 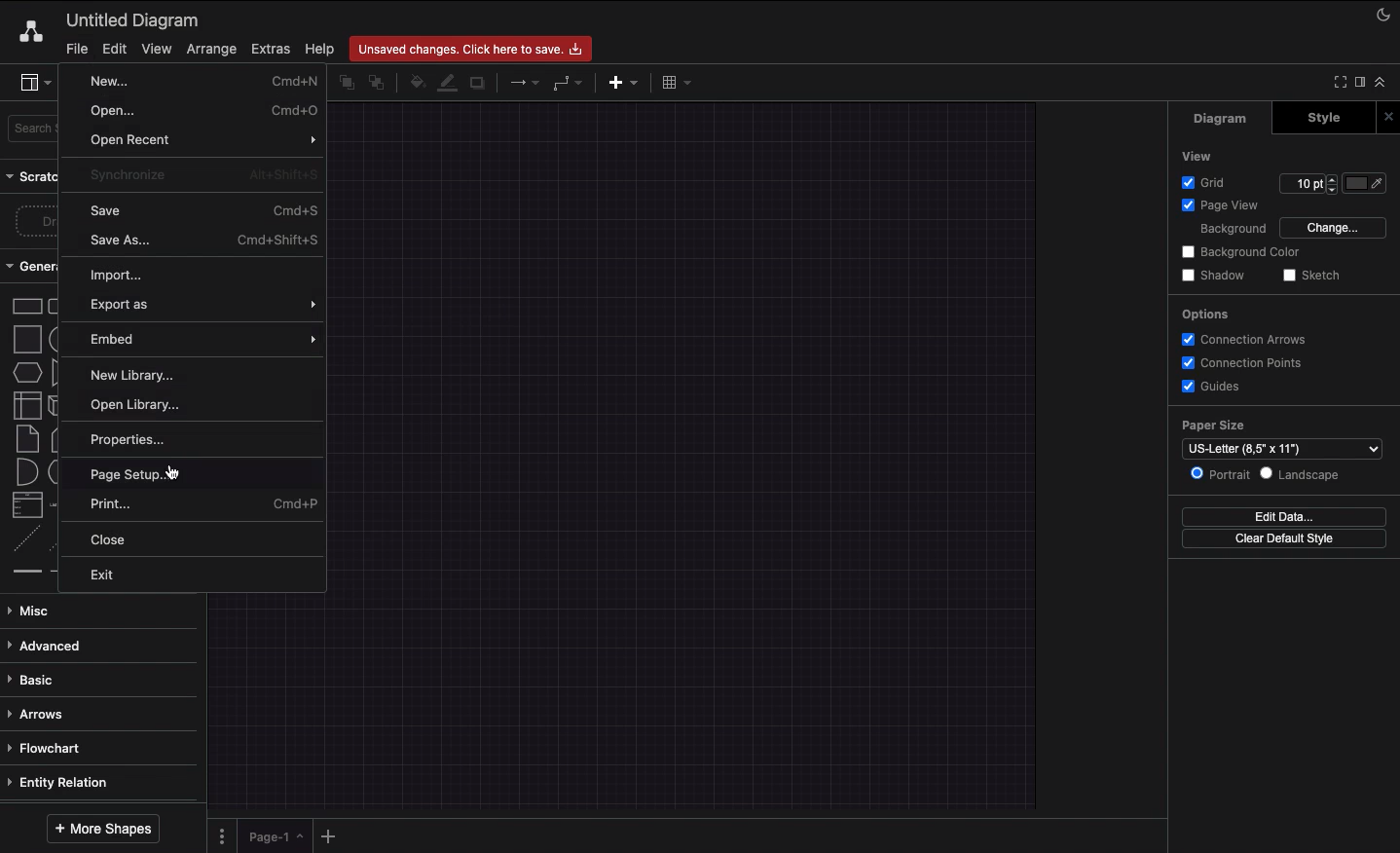 What do you see at coordinates (319, 48) in the screenshot?
I see `Help` at bounding box center [319, 48].